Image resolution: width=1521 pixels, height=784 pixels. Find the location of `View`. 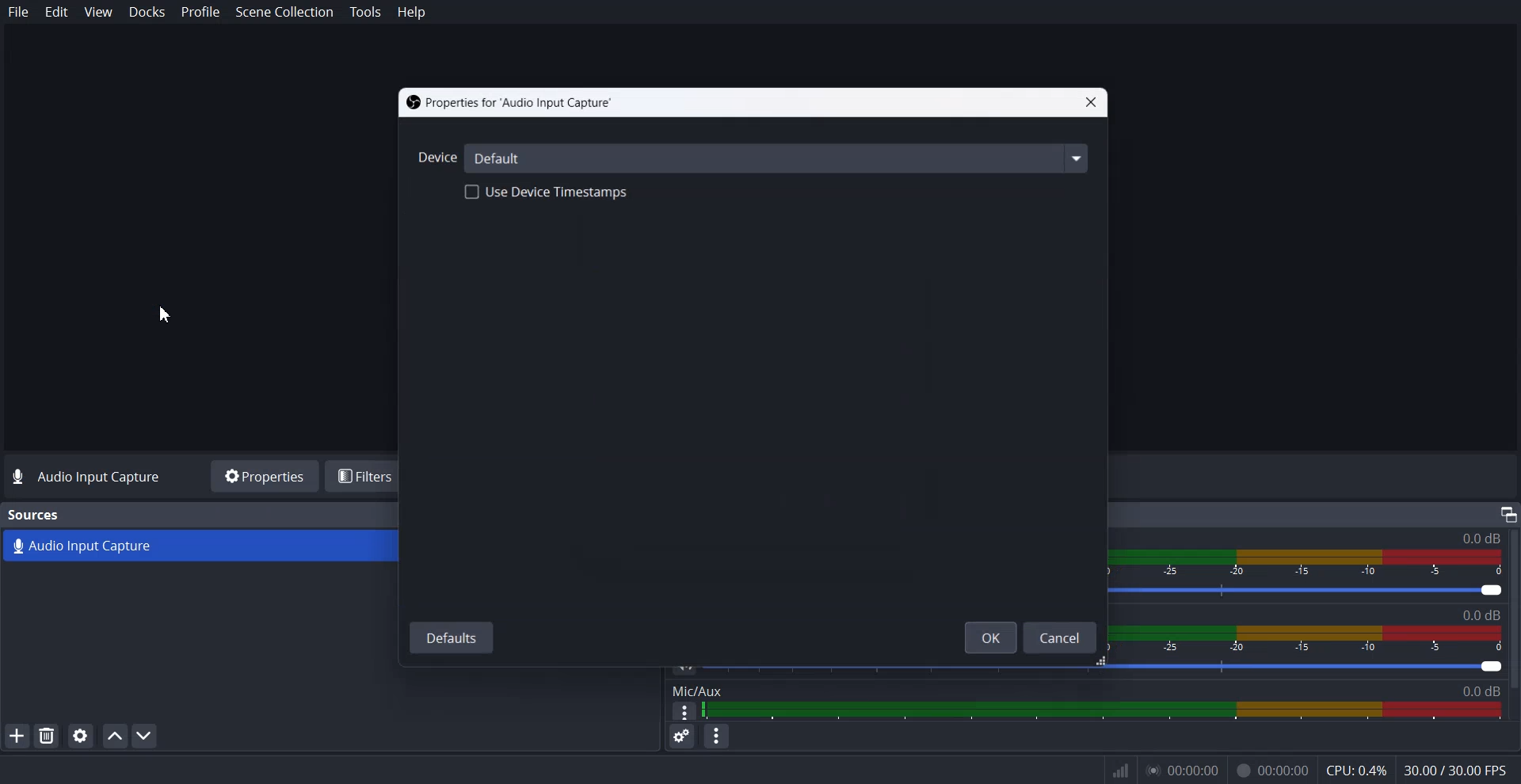

View is located at coordinates (97, 11).